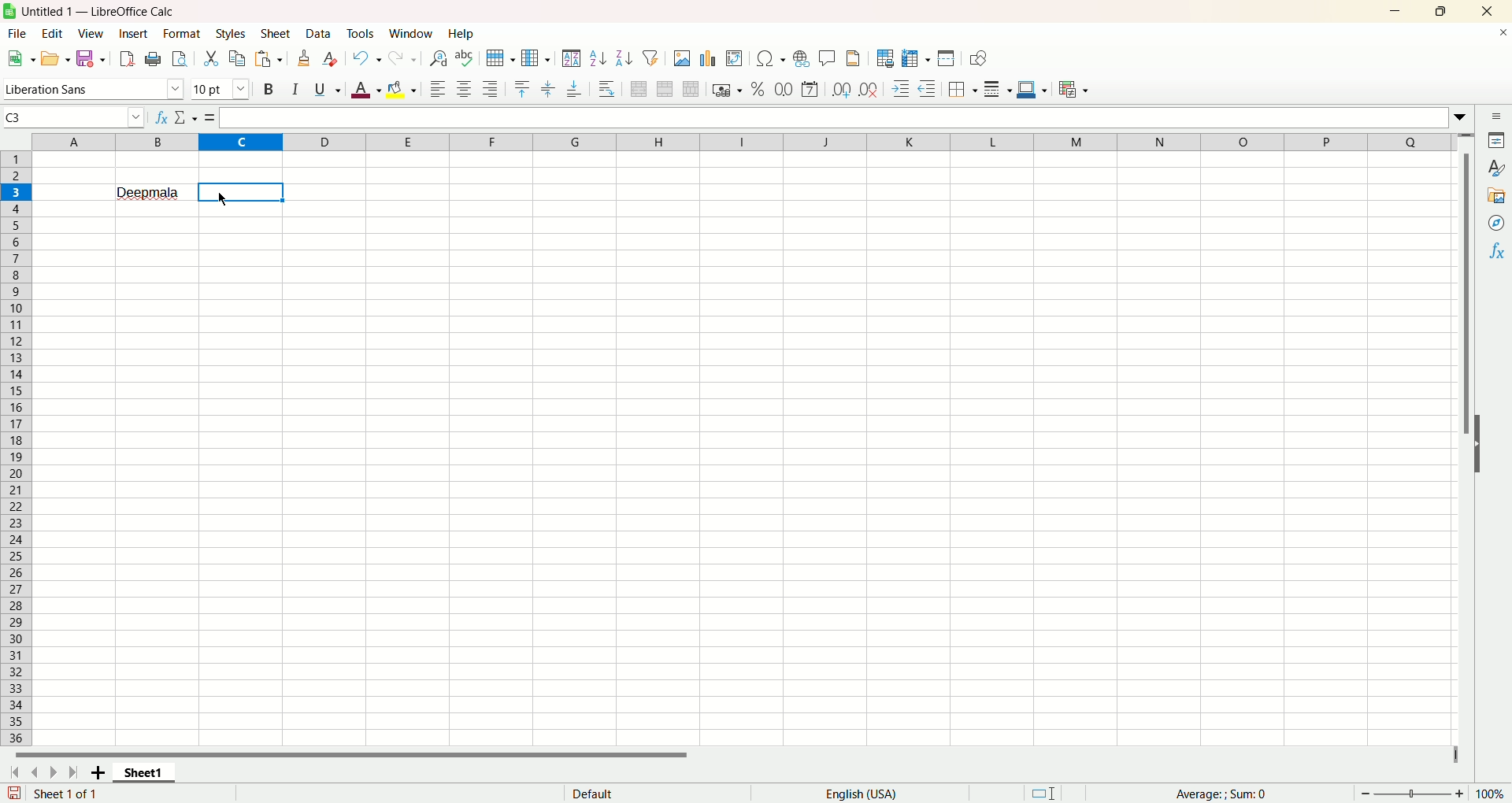 The width and height of the screenshot is (1512, 803). I want to click on Functions, so click(1495, 250).